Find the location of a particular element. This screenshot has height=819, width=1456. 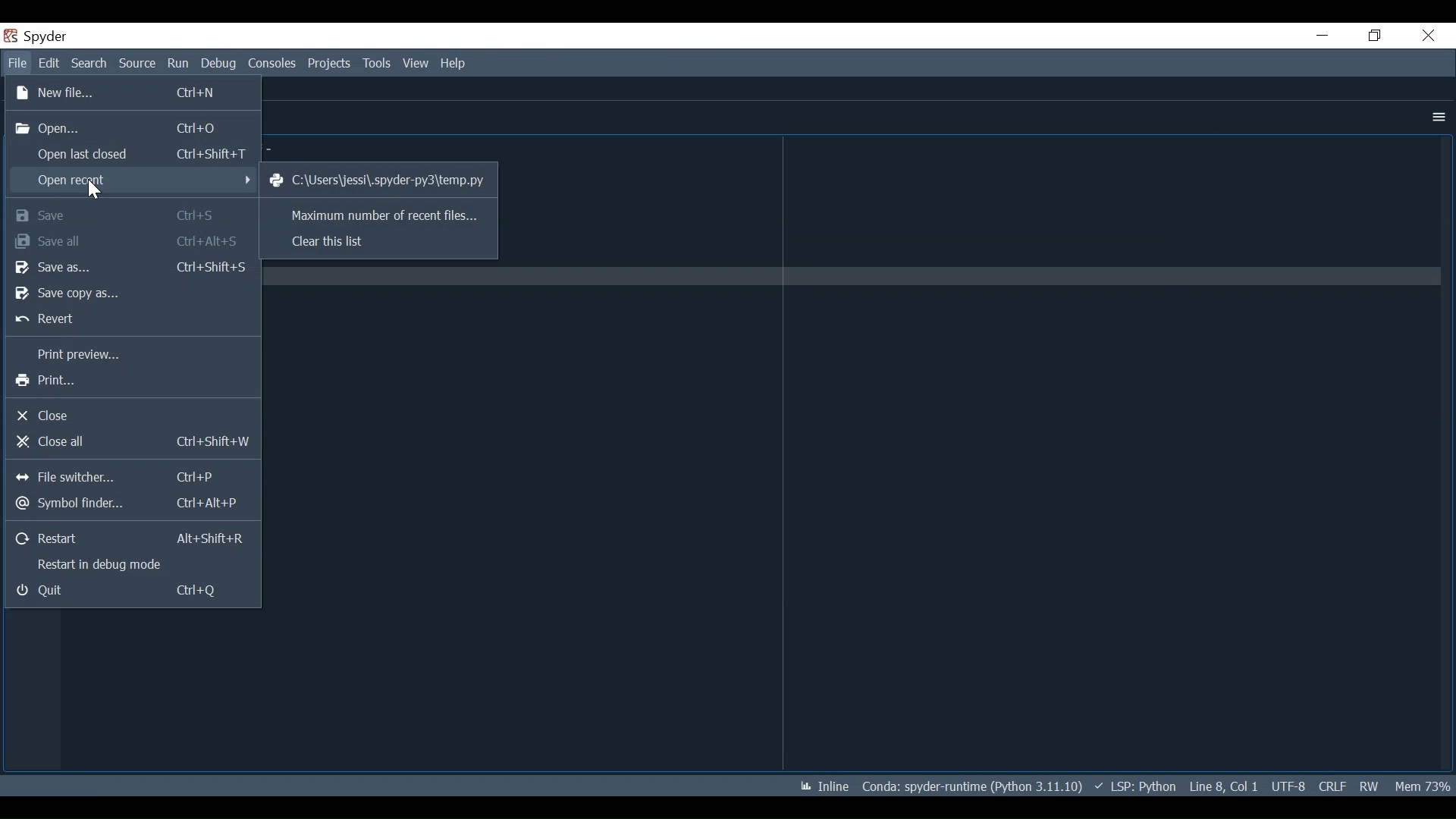

Open is located at coordinates (130, 127).